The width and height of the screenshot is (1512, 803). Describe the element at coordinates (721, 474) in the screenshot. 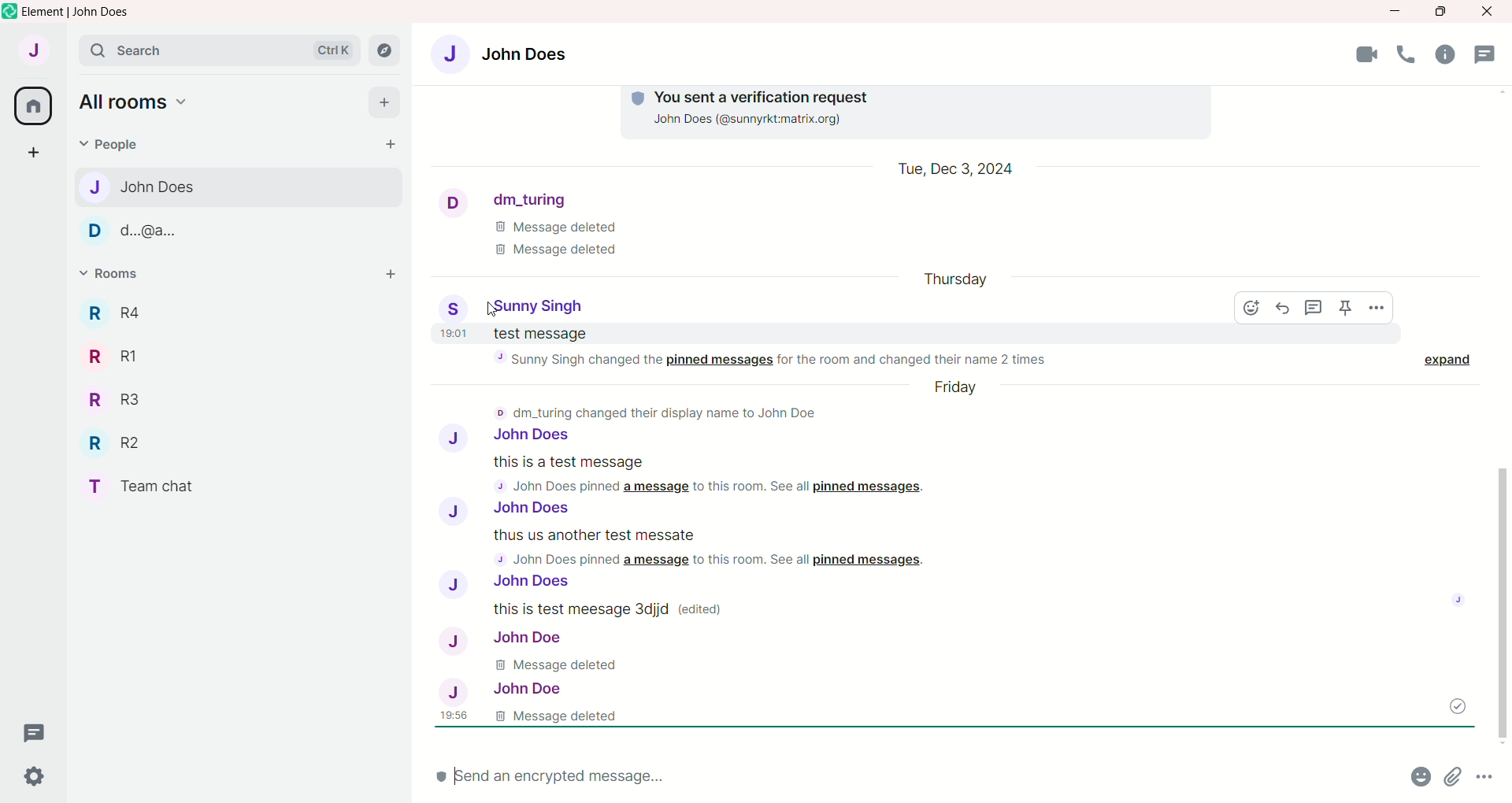

I see `this is a test message` at that location.